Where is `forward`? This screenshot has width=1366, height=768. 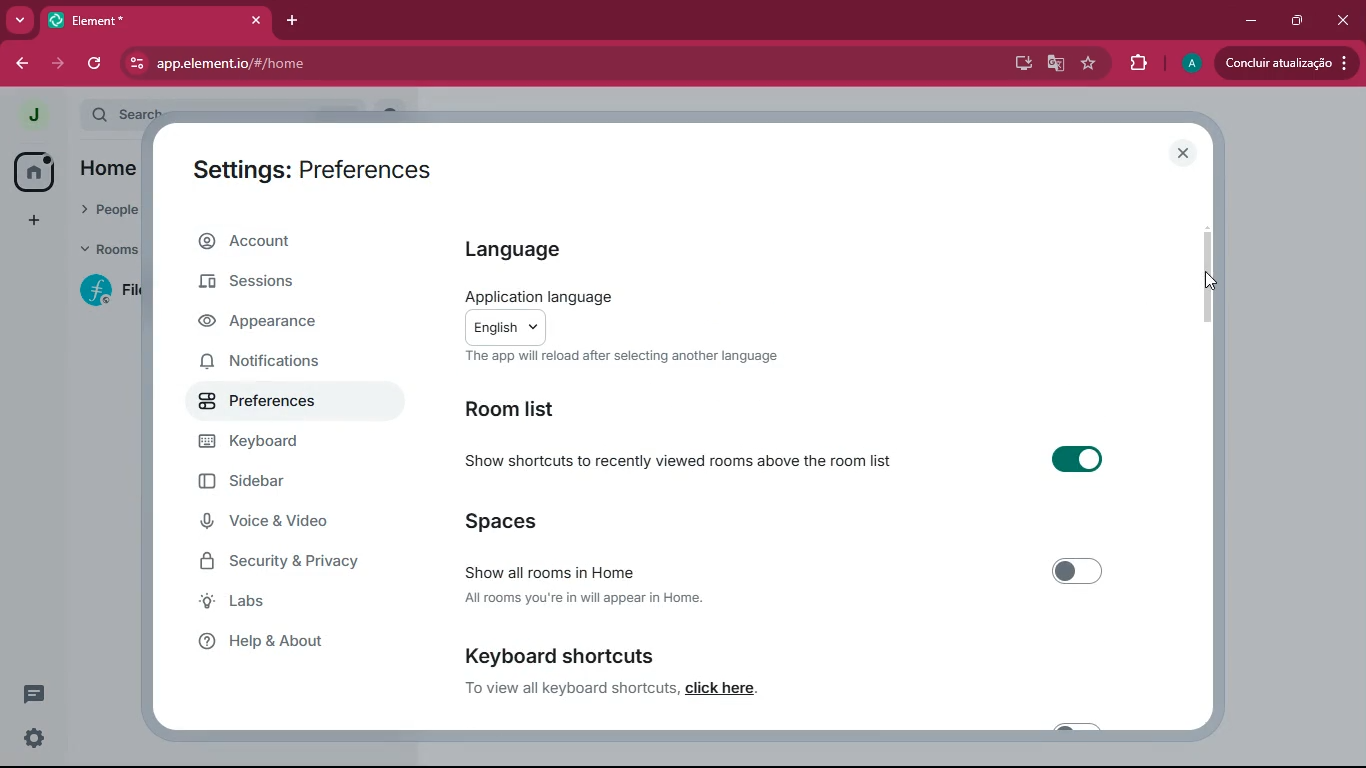
forward is located at coordinates (60, 61).